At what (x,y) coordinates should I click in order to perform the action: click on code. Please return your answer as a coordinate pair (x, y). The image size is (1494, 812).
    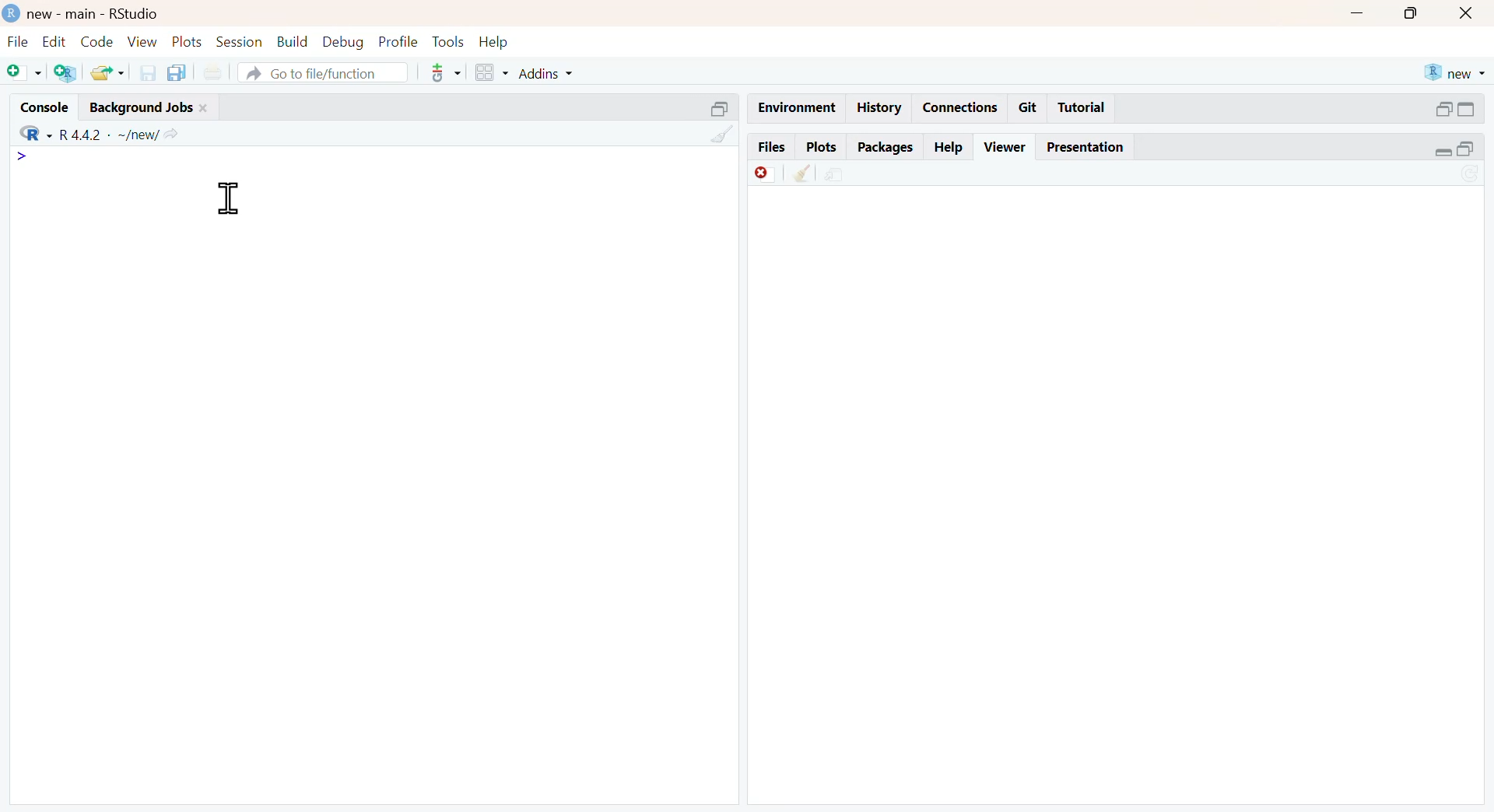
    Looking at the image, I should click on (97, 41).